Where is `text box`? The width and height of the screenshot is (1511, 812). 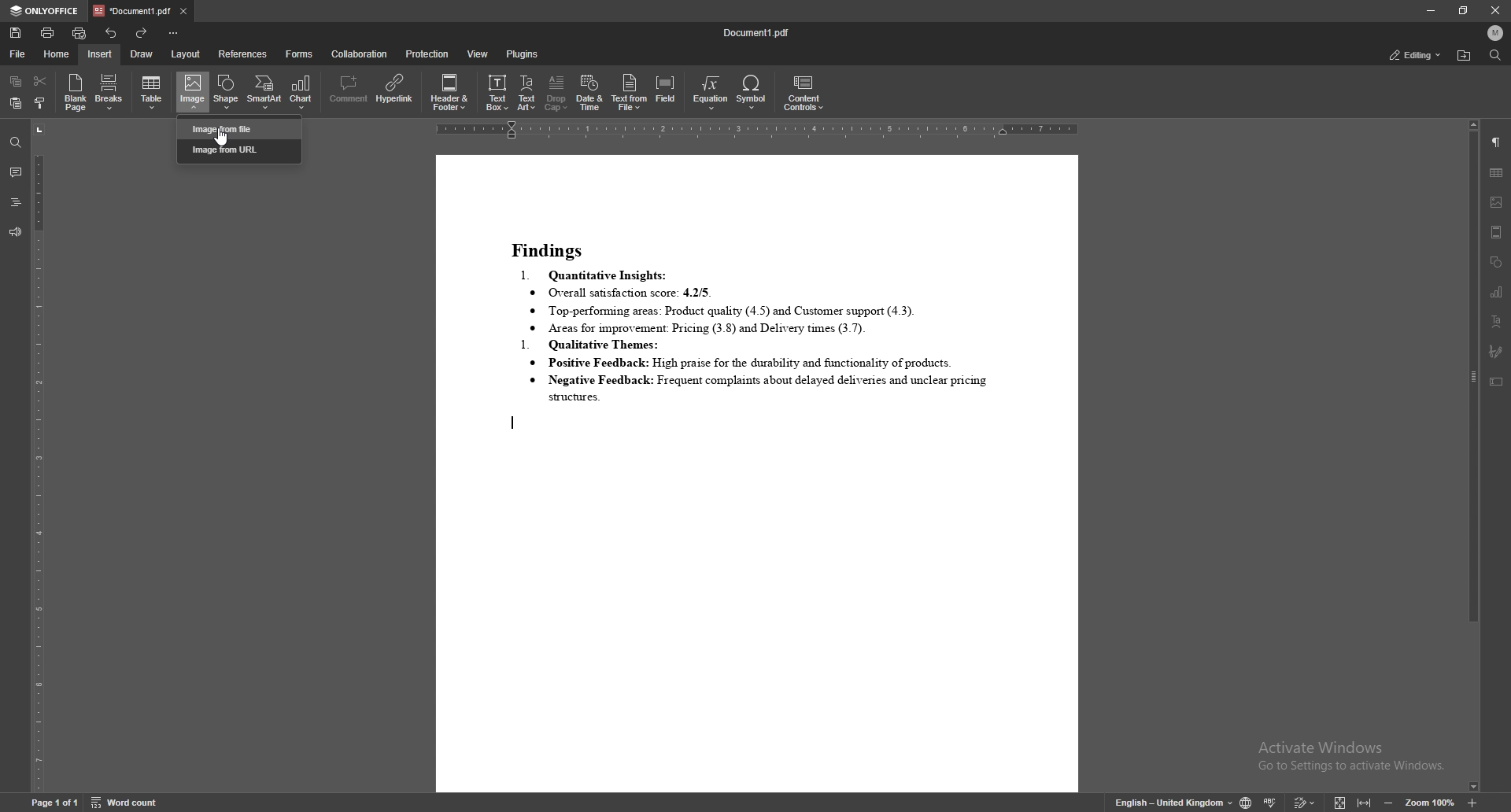 text box is located at coordinates (497, 93).